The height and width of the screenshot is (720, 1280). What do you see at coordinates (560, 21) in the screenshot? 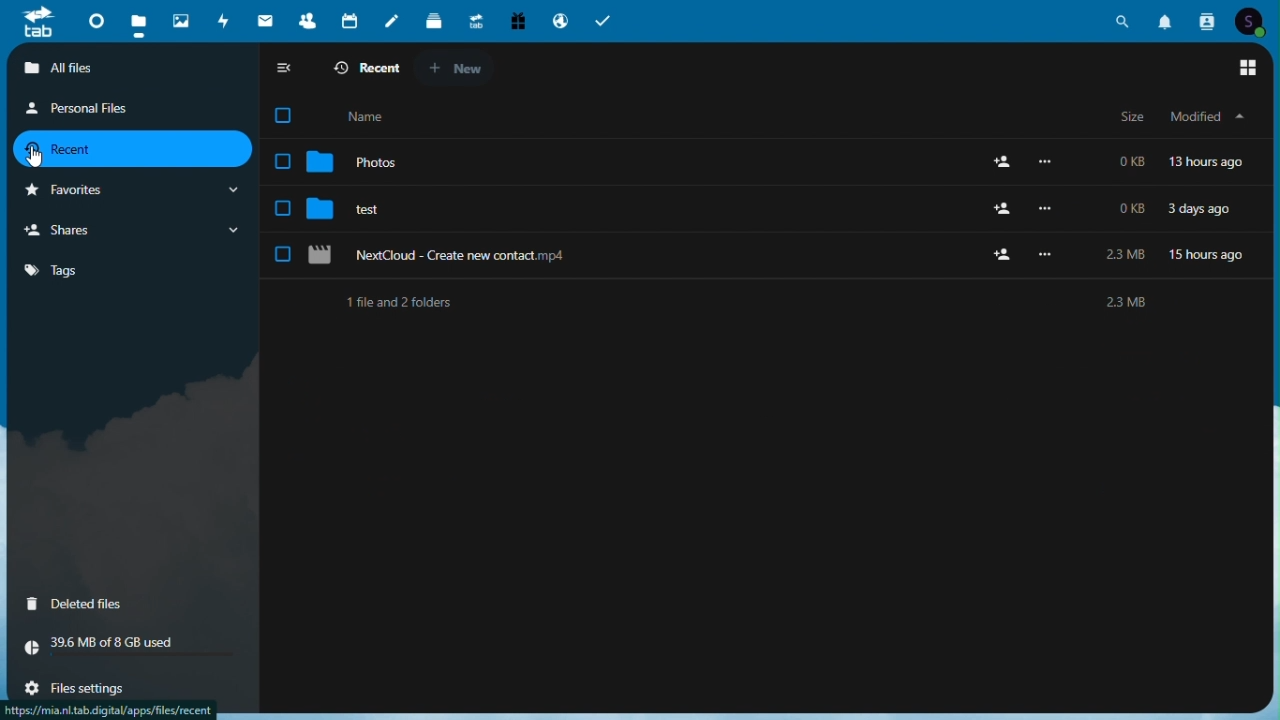
I see `email hosting` at bounding box center [560, 21].